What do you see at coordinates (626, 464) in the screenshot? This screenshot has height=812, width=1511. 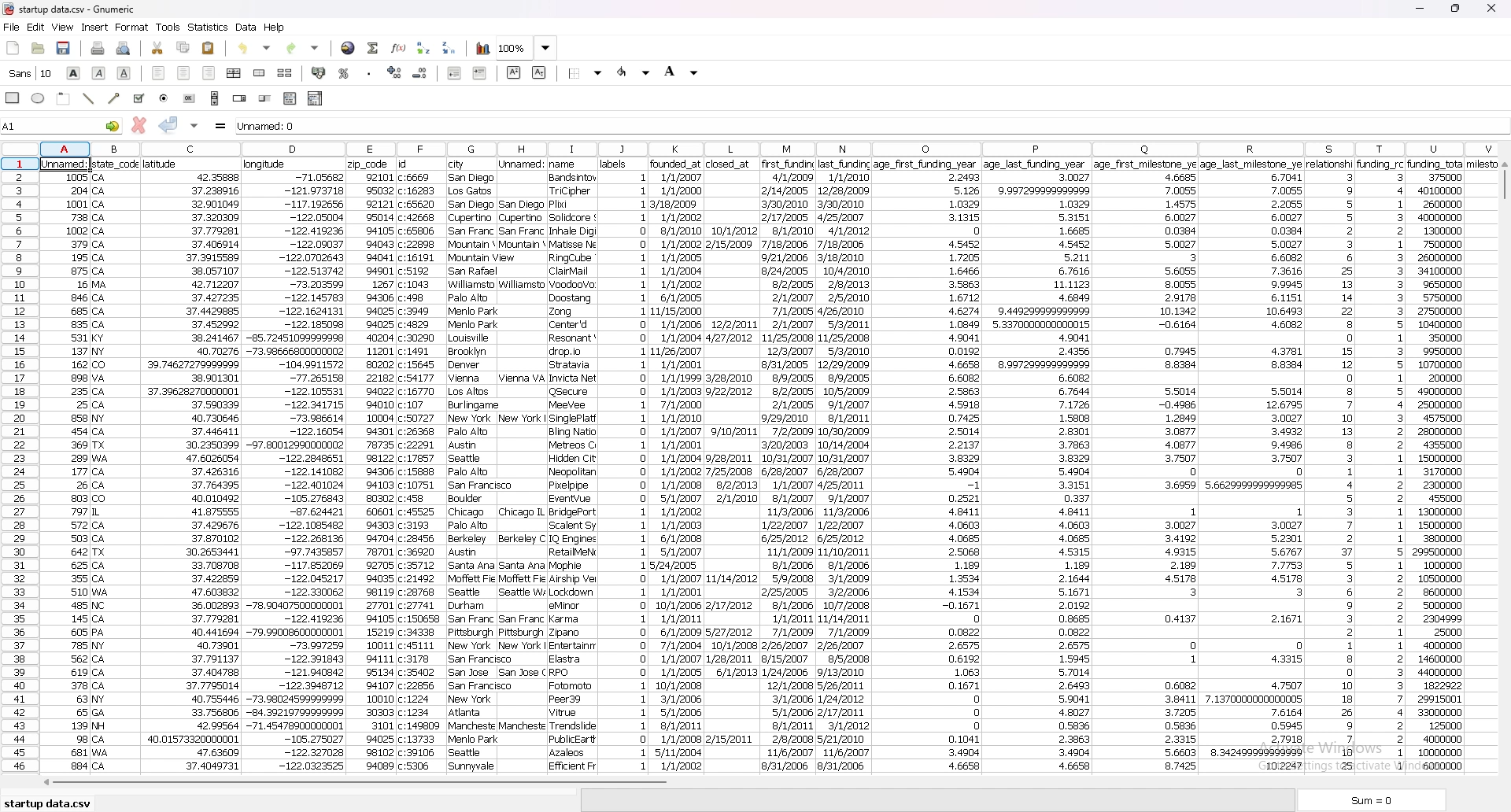 I see `data` at bounding box center [626, 464].